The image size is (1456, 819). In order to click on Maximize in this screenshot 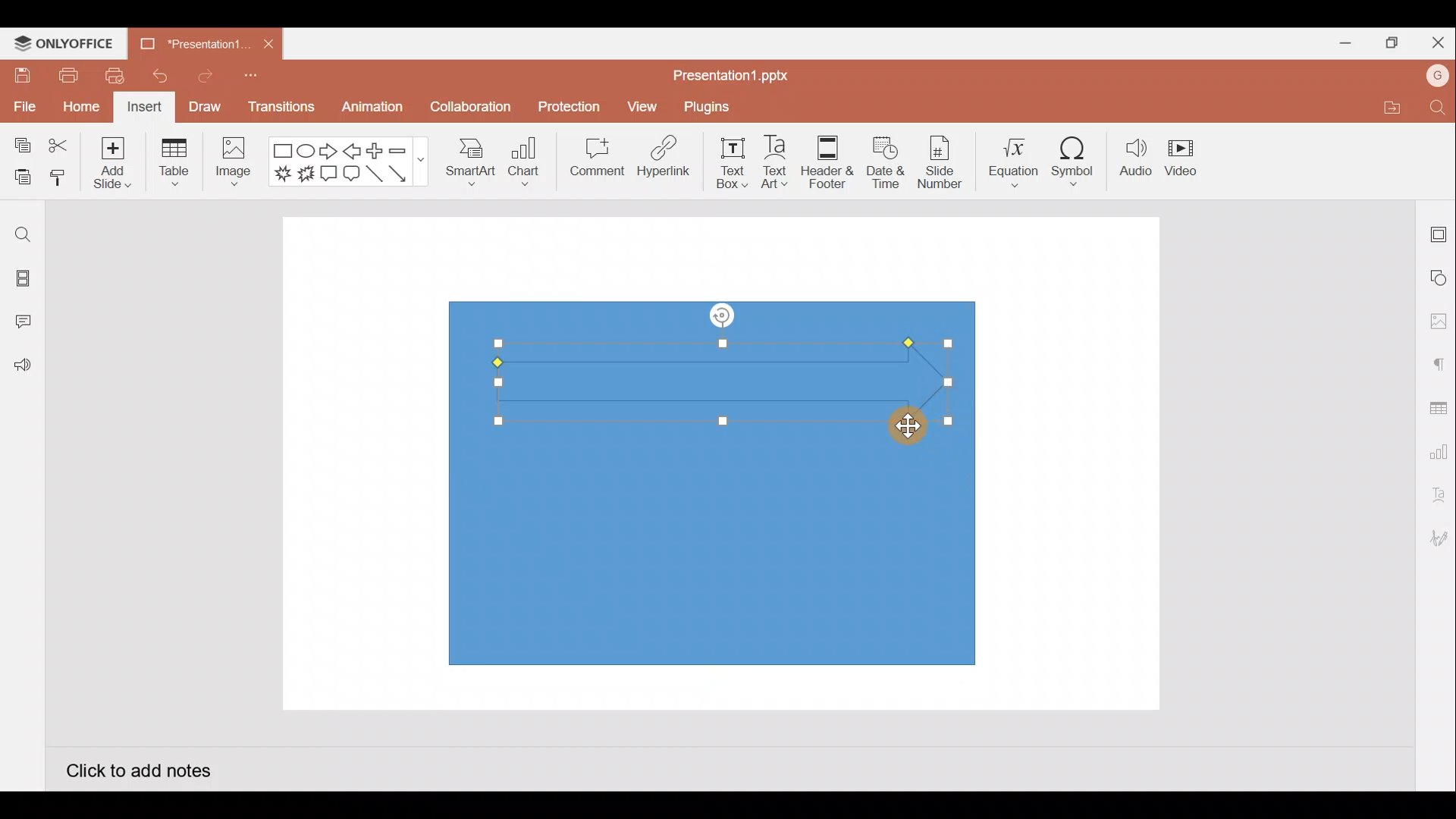, I will do `click(1388, 43)`.